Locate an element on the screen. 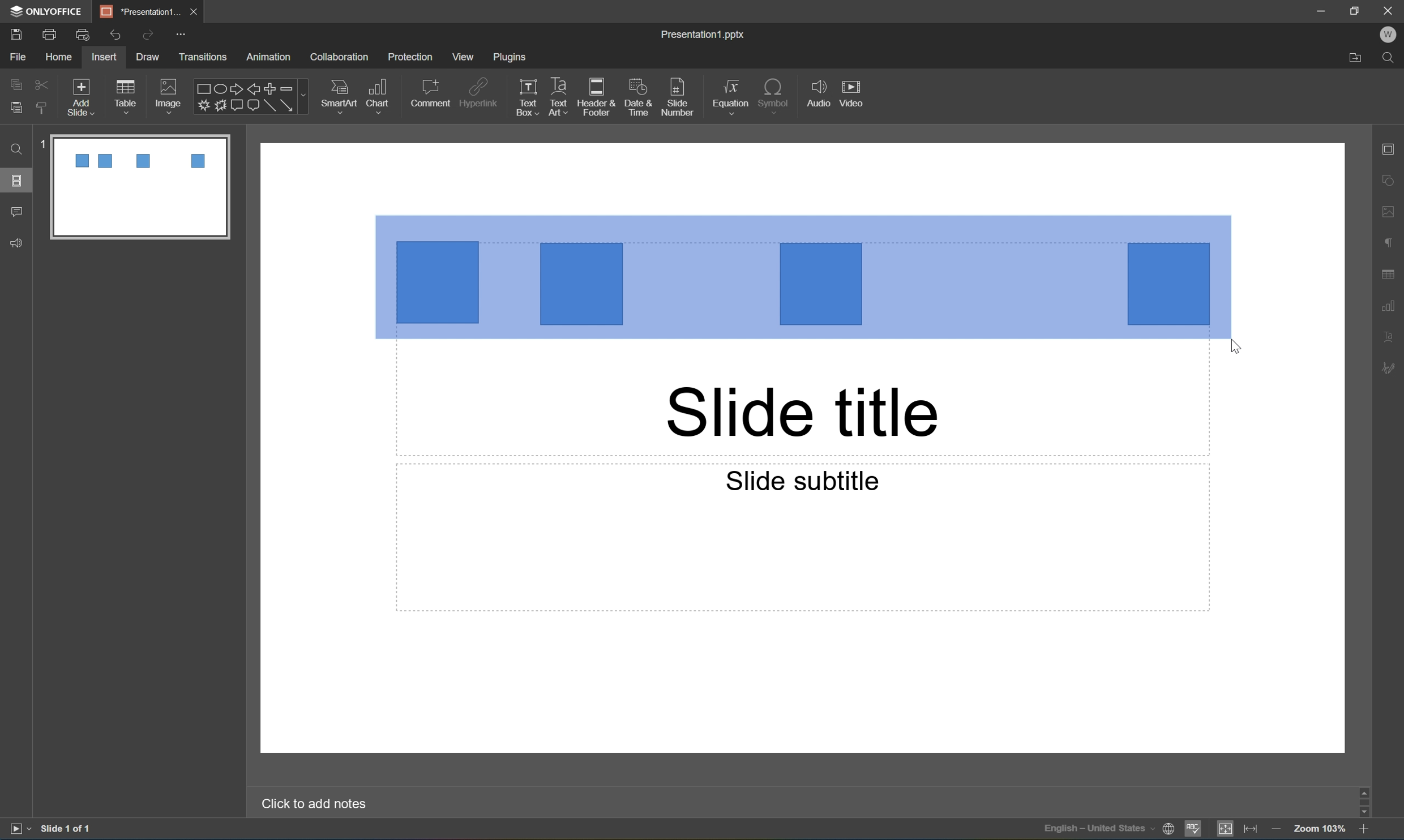  Click to add notes is located at coordinates (318, 804).